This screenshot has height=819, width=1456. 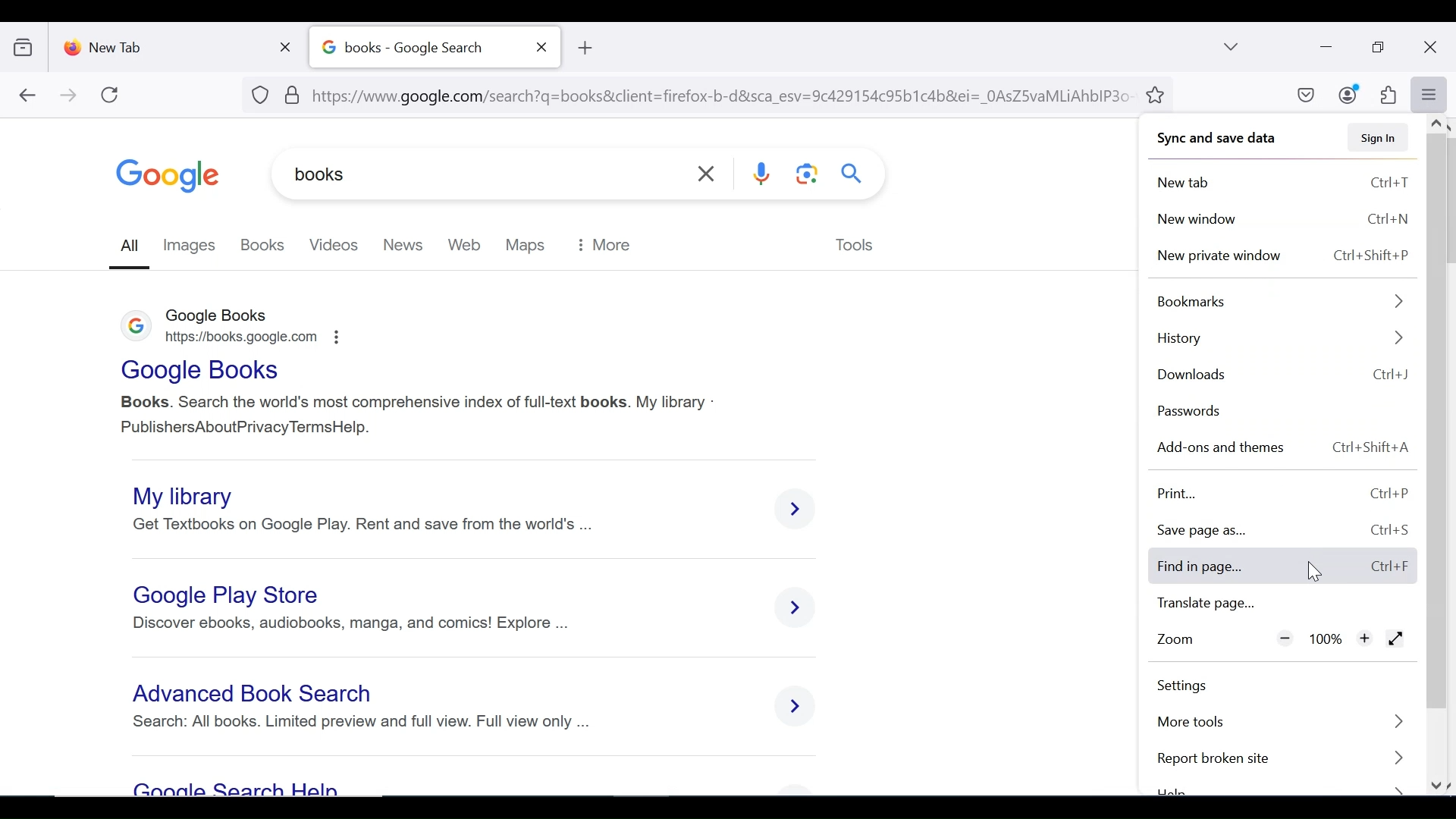 What do you see at coordinates (855, 246) in the screenshot?
I see `tools` at bounding box center [855, 246].